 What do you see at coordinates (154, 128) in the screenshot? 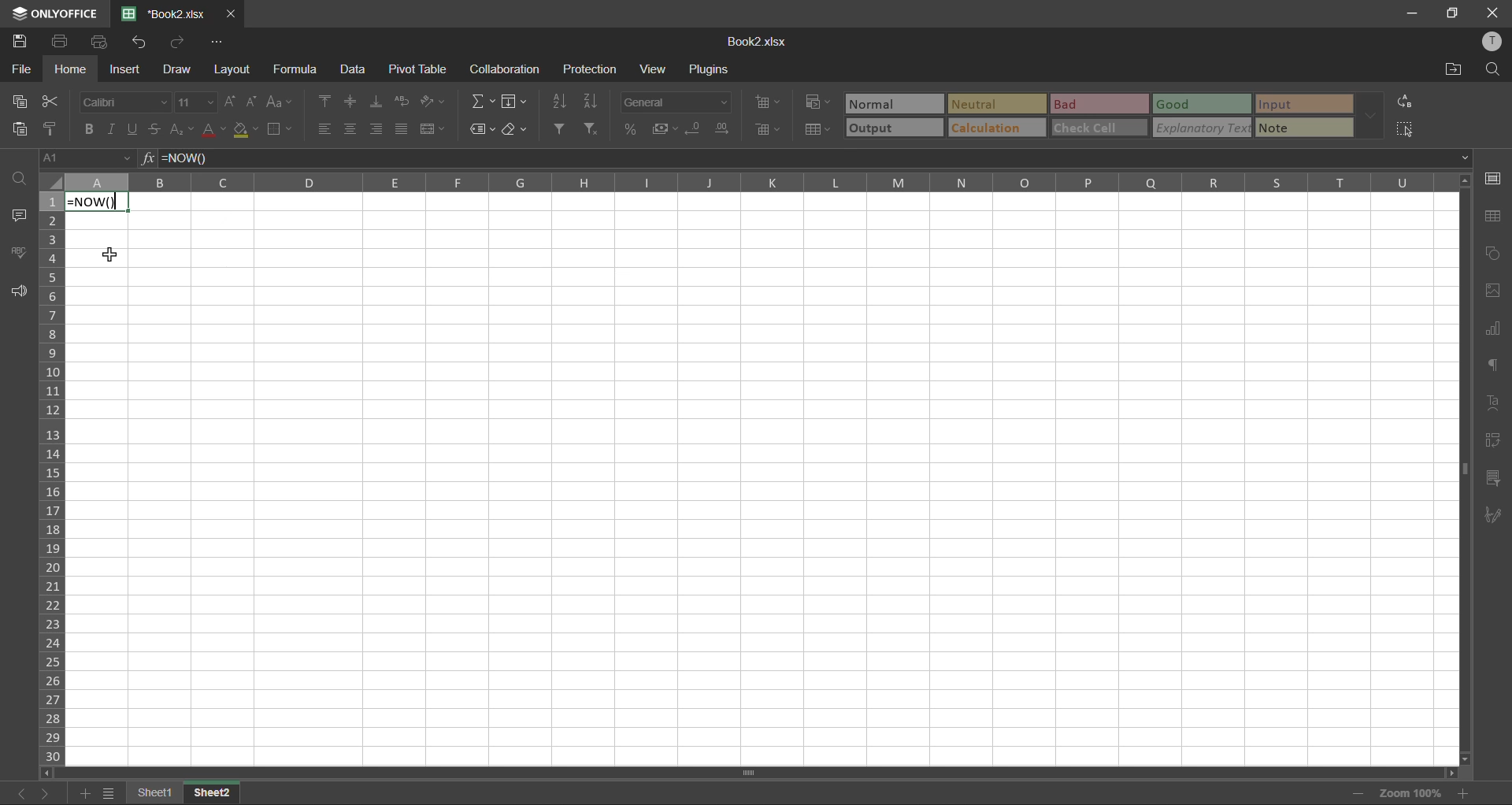
I see `strikethrough` at bounding box center [154, 128].